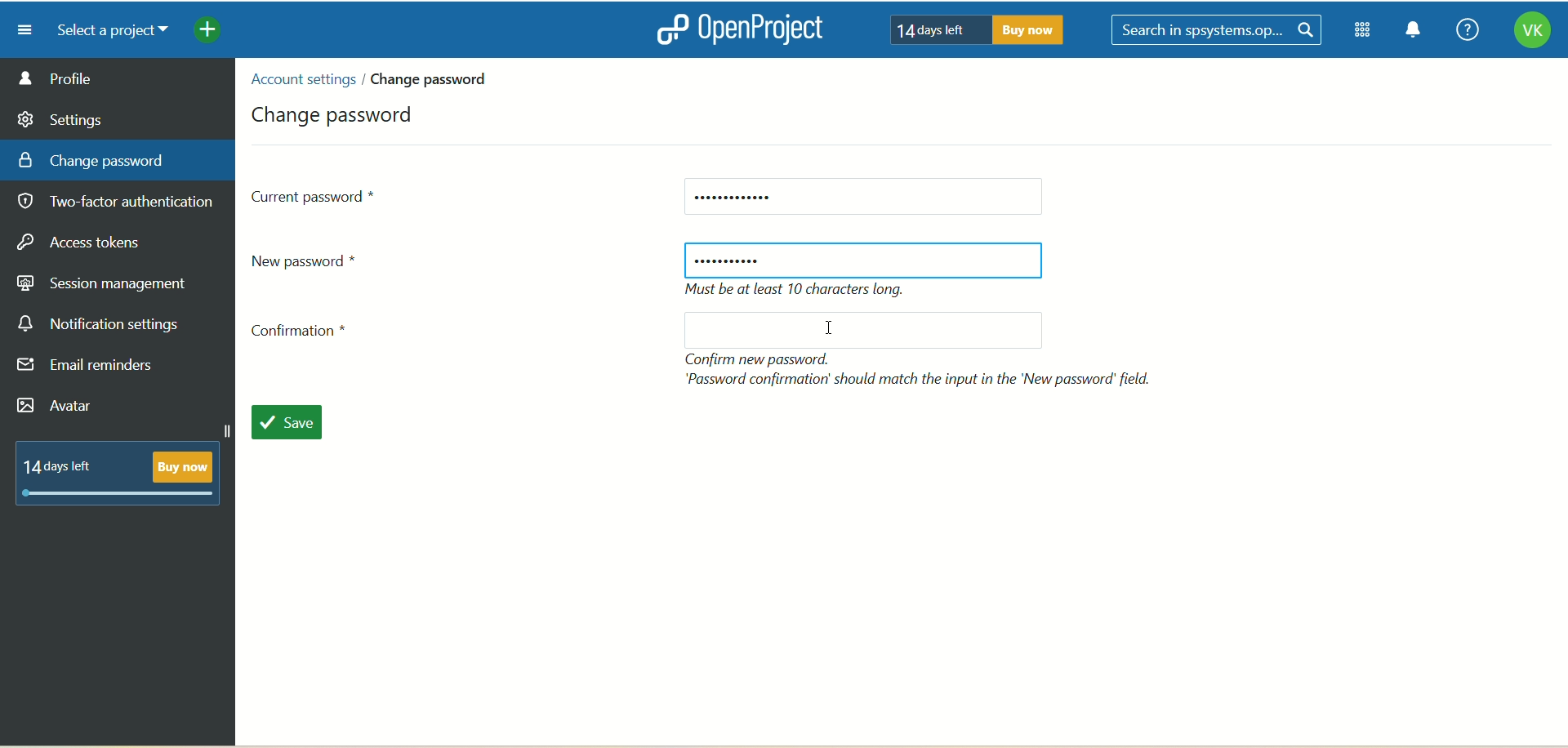 The width and height of the screenshot is (1568, 748). I want to click on confirmation, so click(305, 335).